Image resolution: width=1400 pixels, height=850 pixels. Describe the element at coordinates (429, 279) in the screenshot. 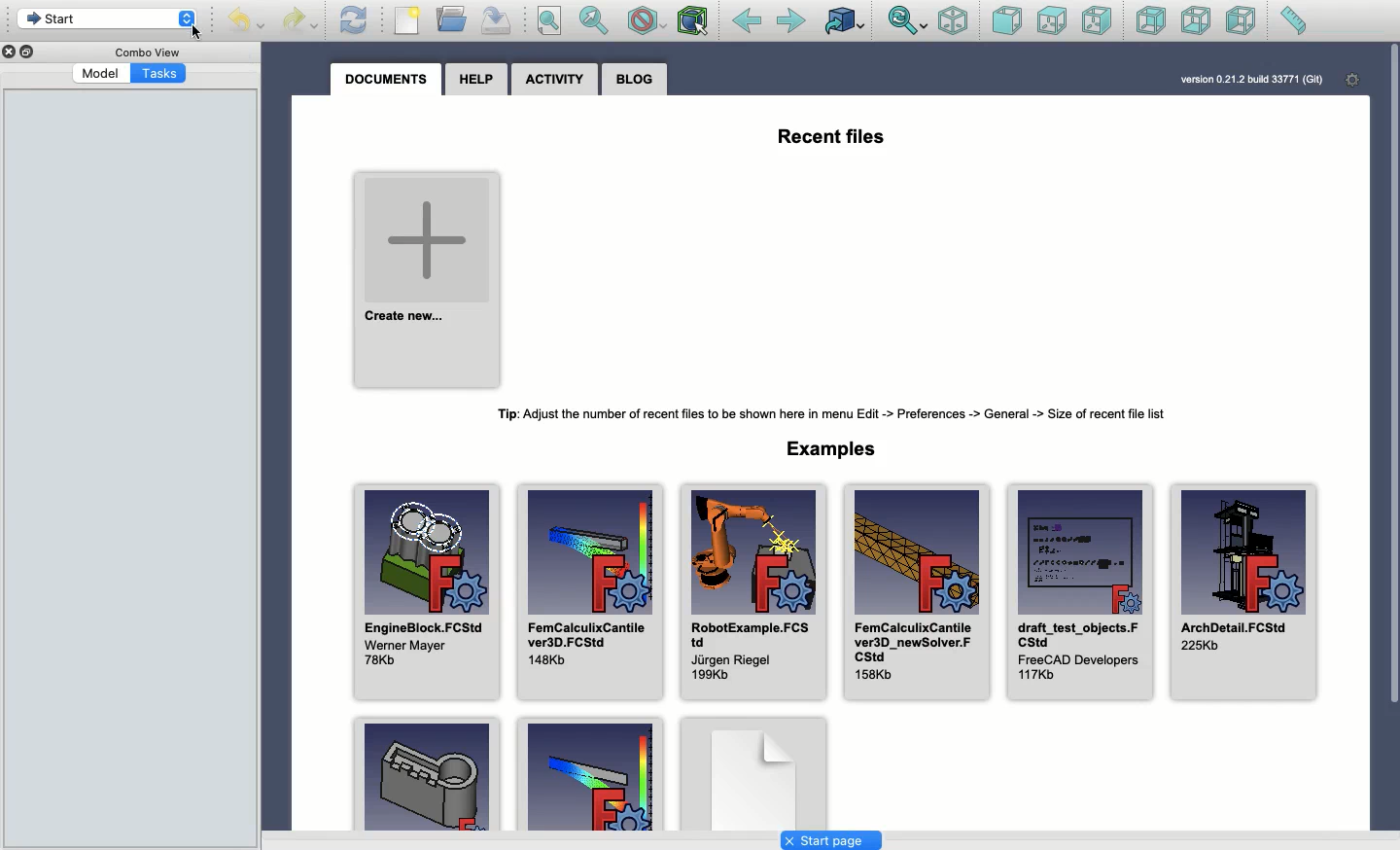

I see `Create new` at that location.